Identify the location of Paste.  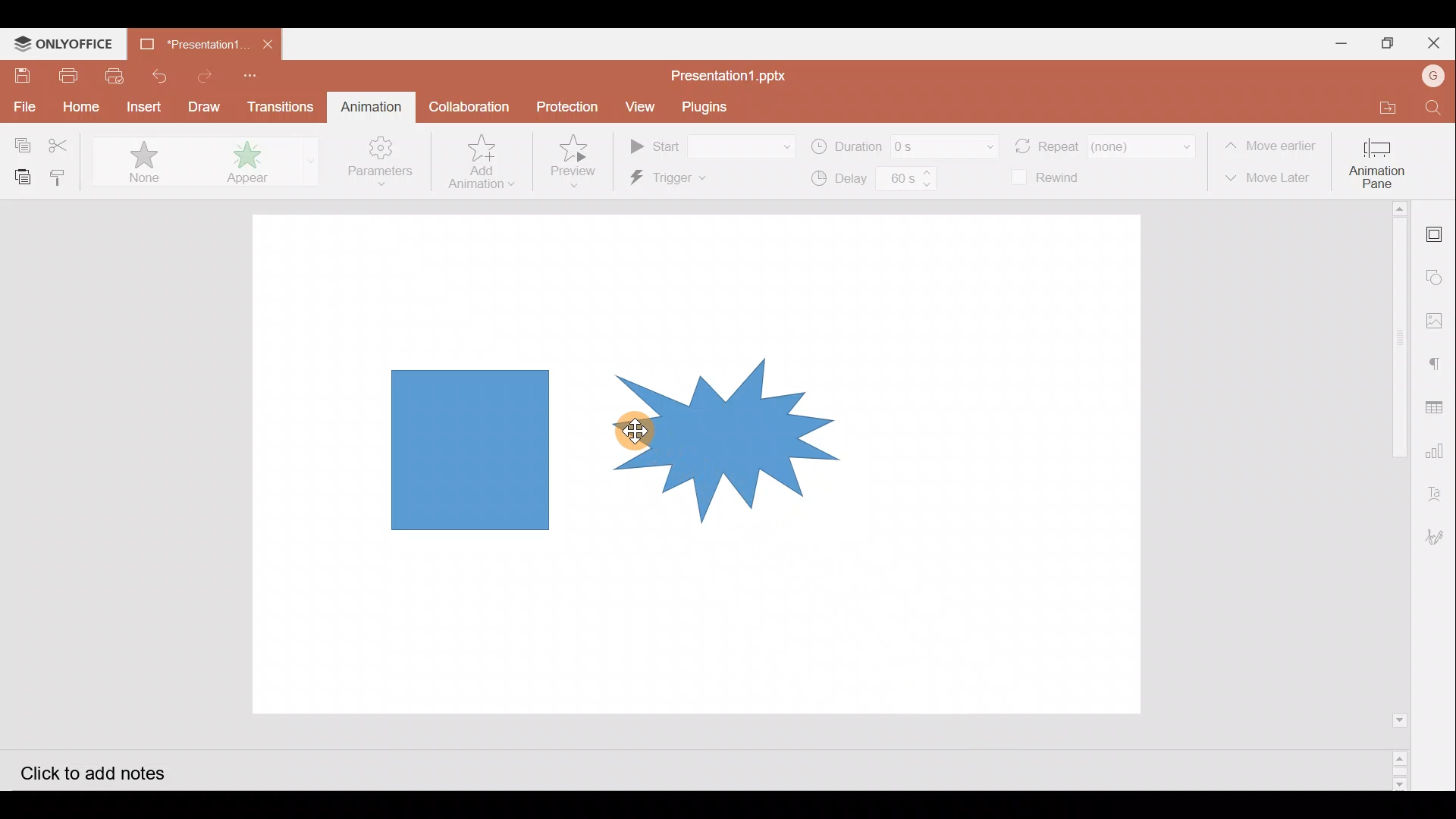
(19, 177).